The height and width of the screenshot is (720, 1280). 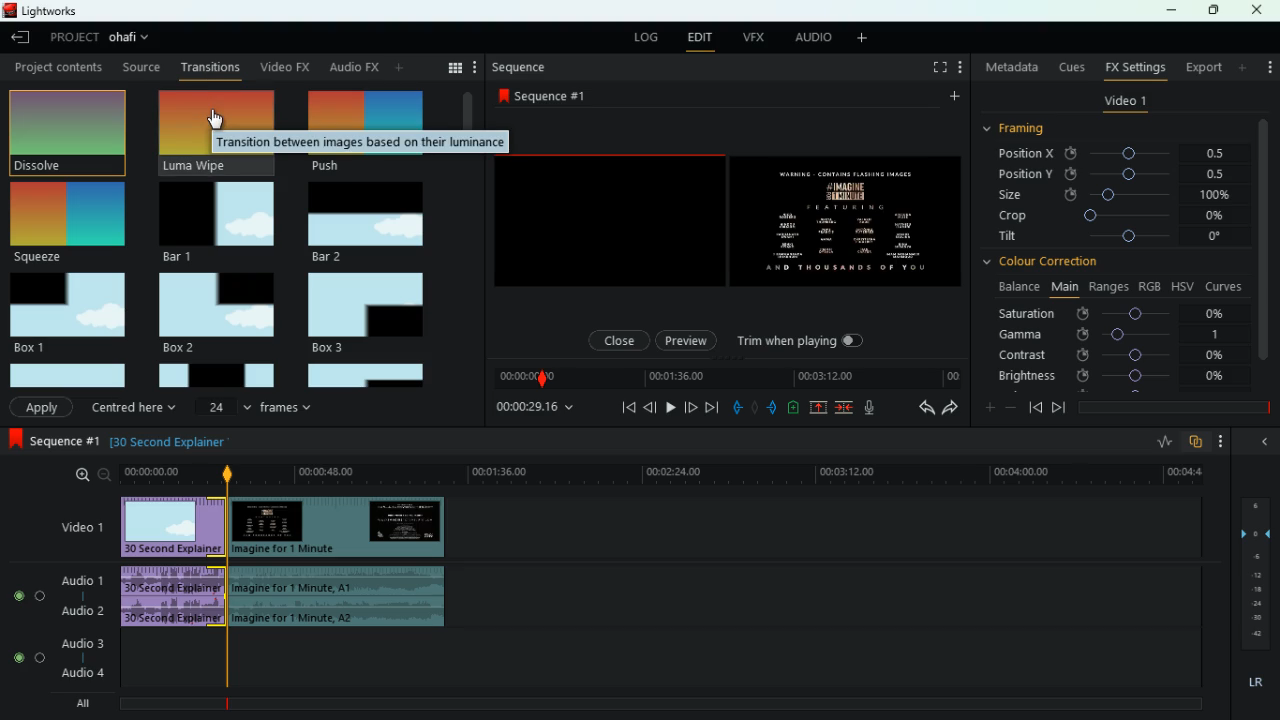 I want to click on bar 2, so click(x=365, y=222).